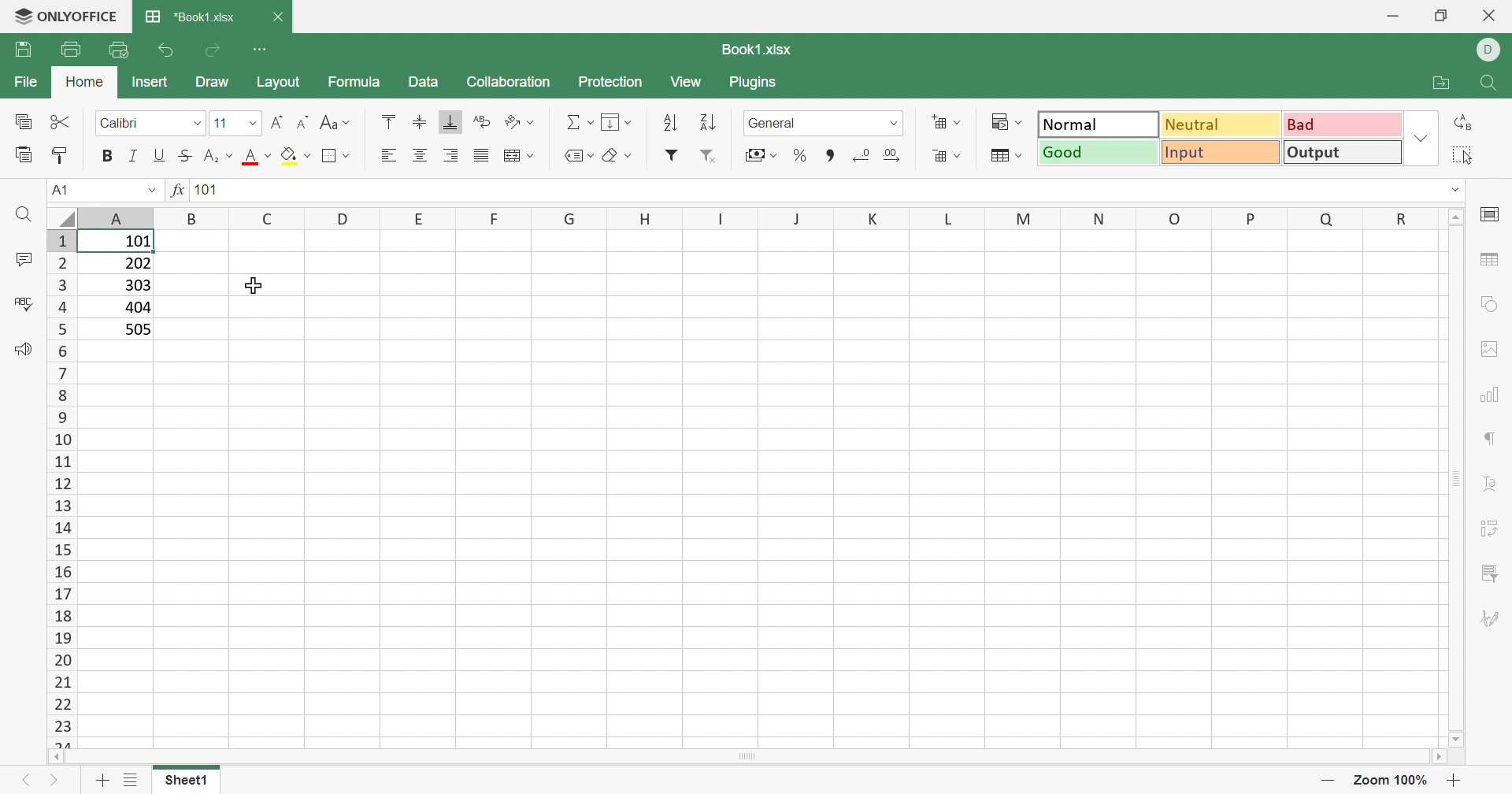 Image resolution: width=1512 pixels, height=794 pixels. Describe the element at coordinates (136, 286) in the screenshot. I see `303` at that location.